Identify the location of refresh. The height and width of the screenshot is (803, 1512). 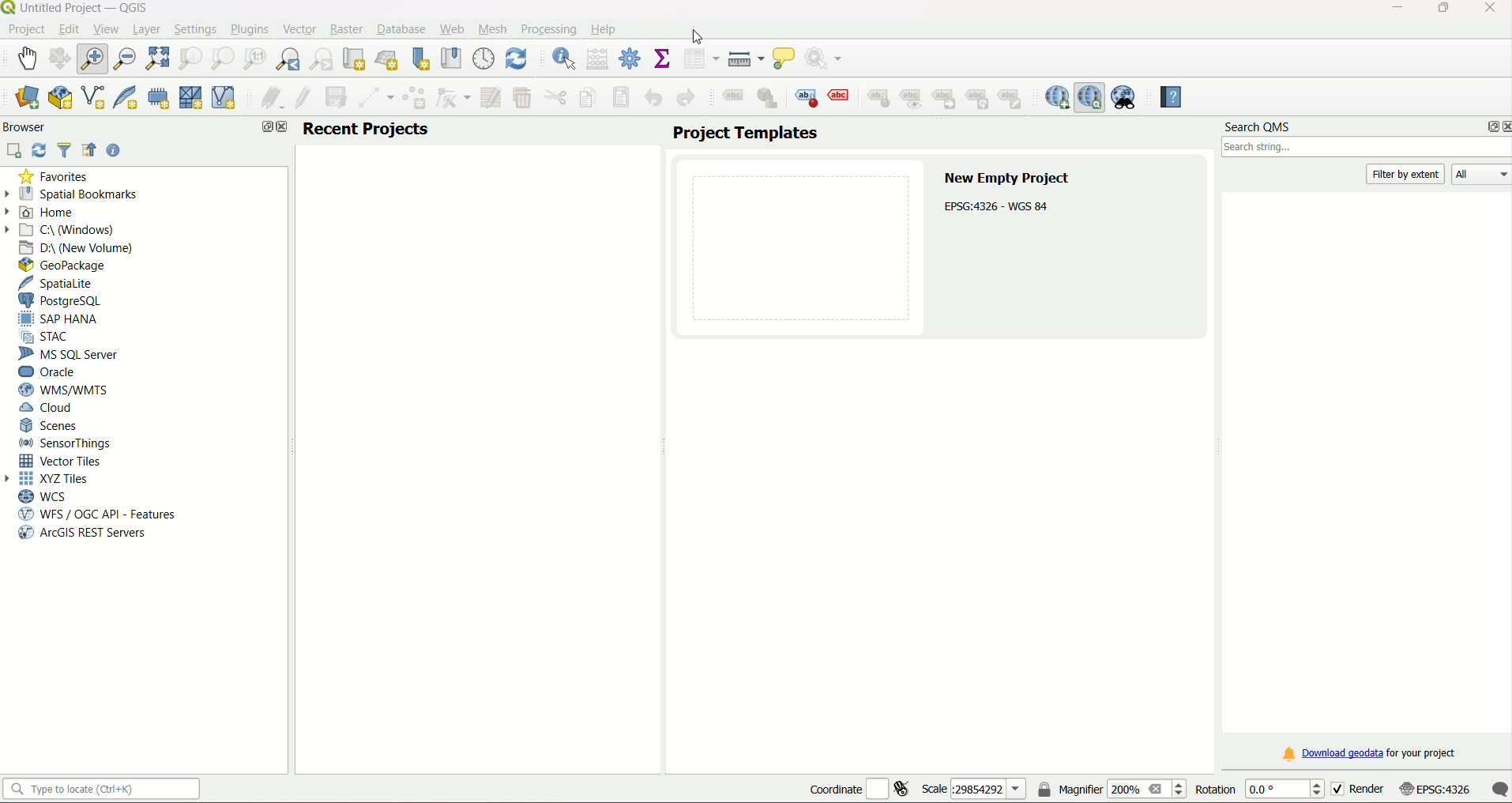
(39, 150).